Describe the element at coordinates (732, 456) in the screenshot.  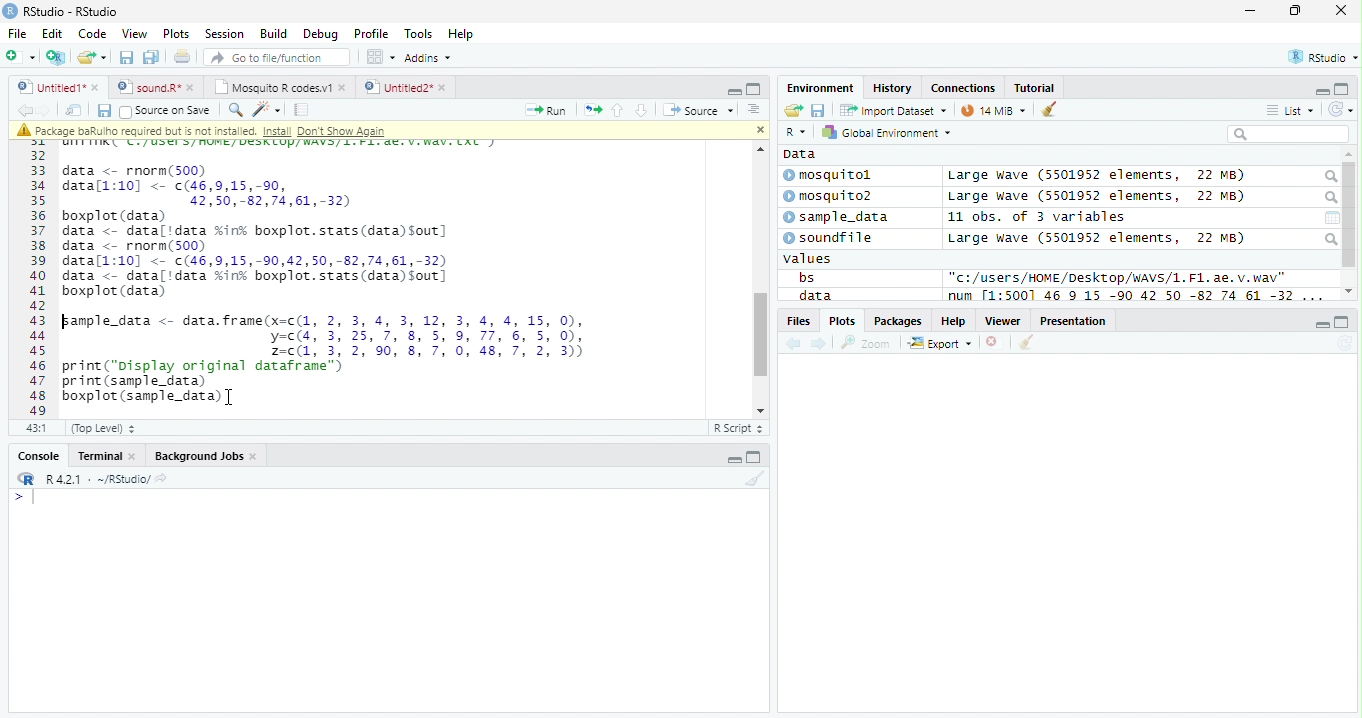
I see `minimize` at that location.